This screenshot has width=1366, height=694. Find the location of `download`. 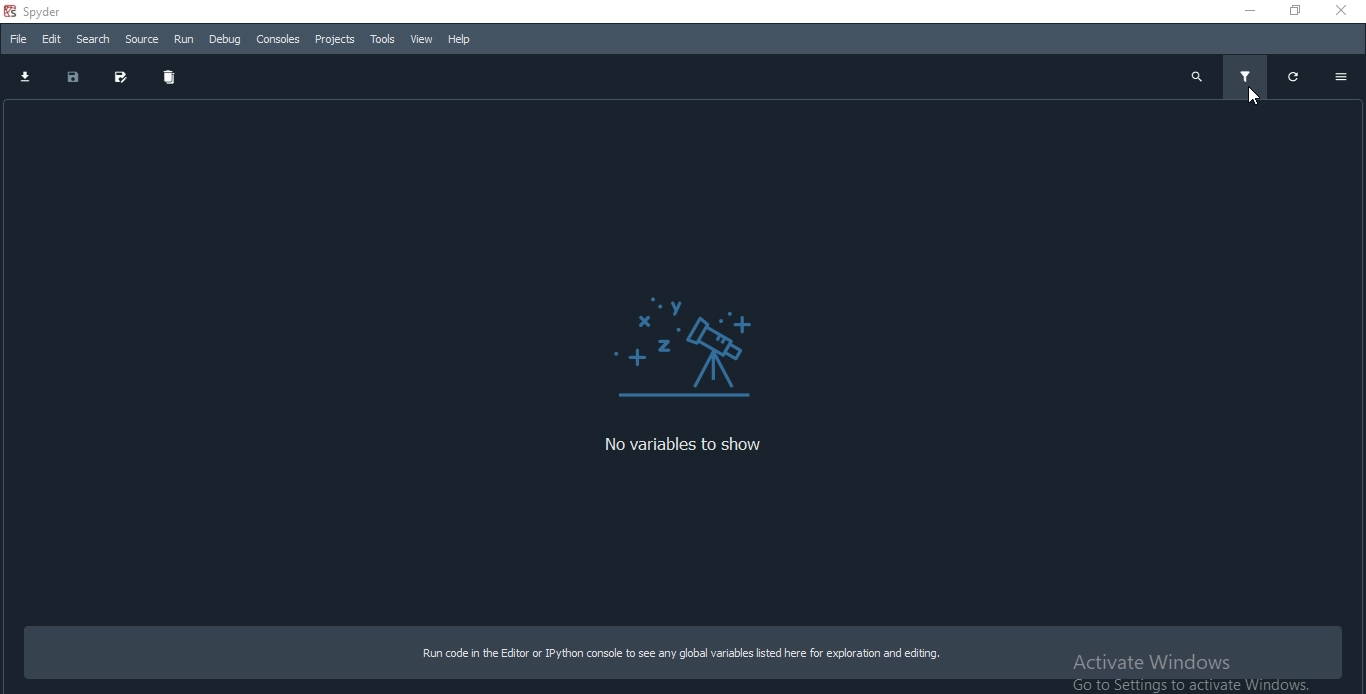

download is located at coordinates (28, 73).